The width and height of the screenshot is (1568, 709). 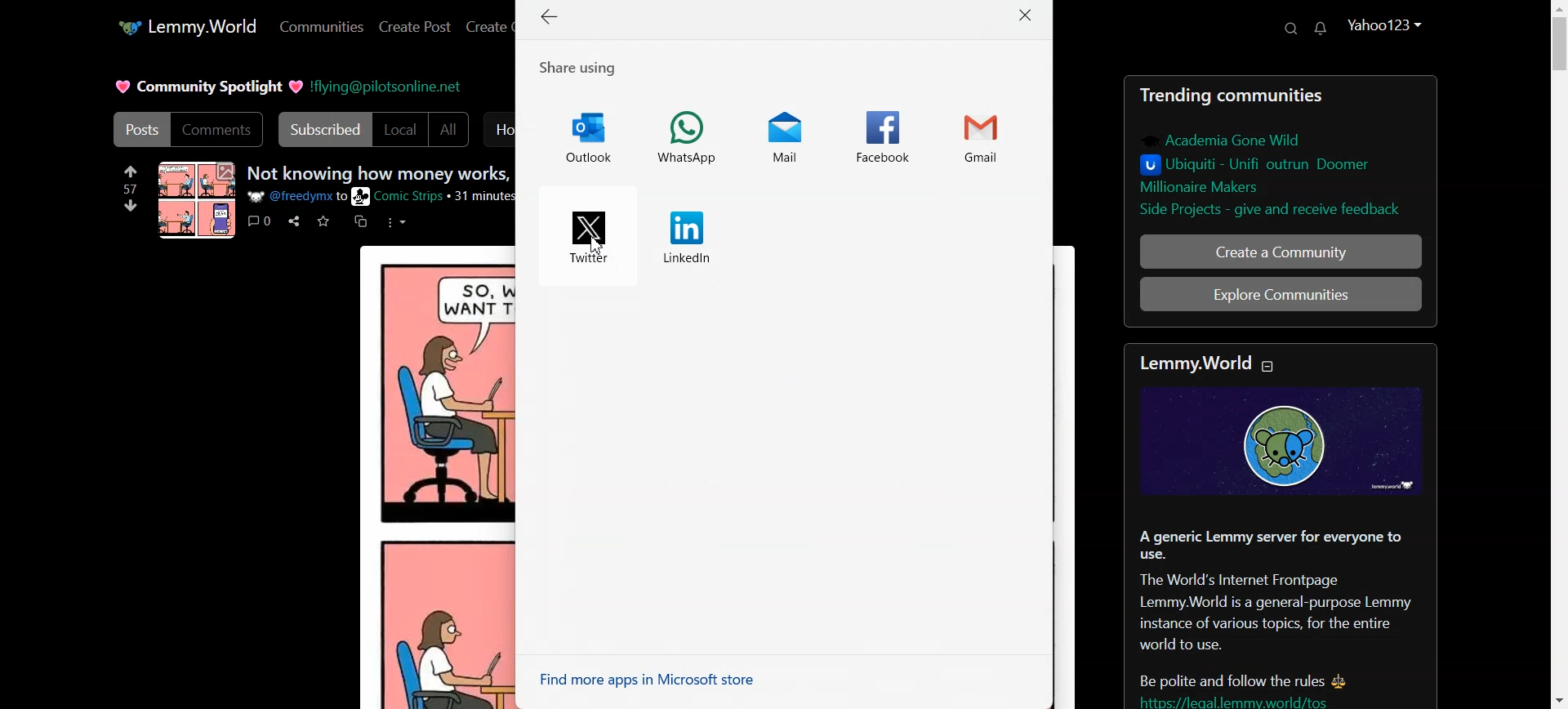 I want to click on Find more apps in microsoft store, so click(x=656, y=680).